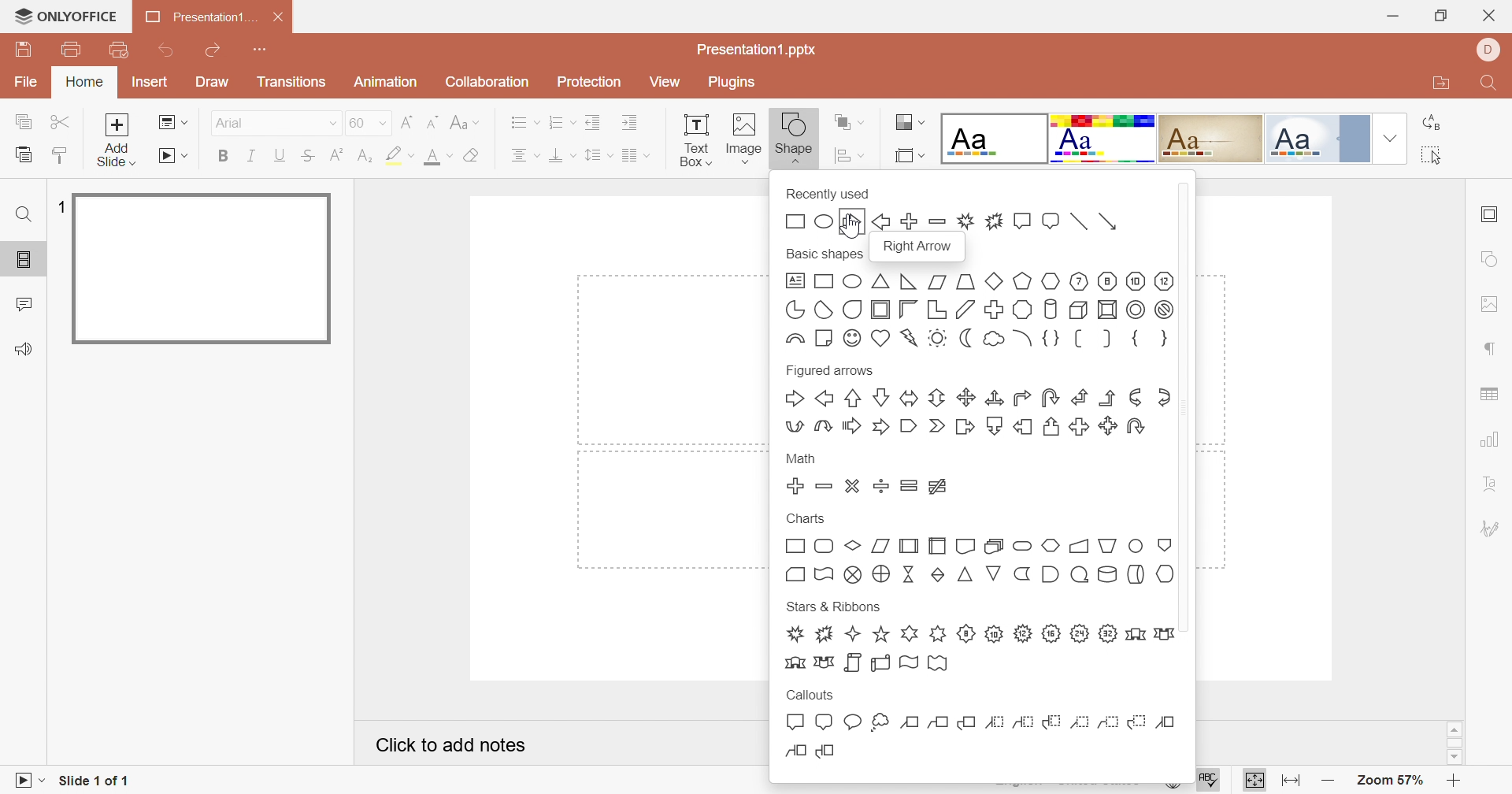 Image resolution: width=1512 pixels, height=794 pixels. Describe the element at coordinates (1395, 17) in the screenshot. I see `Minimize` at that location.